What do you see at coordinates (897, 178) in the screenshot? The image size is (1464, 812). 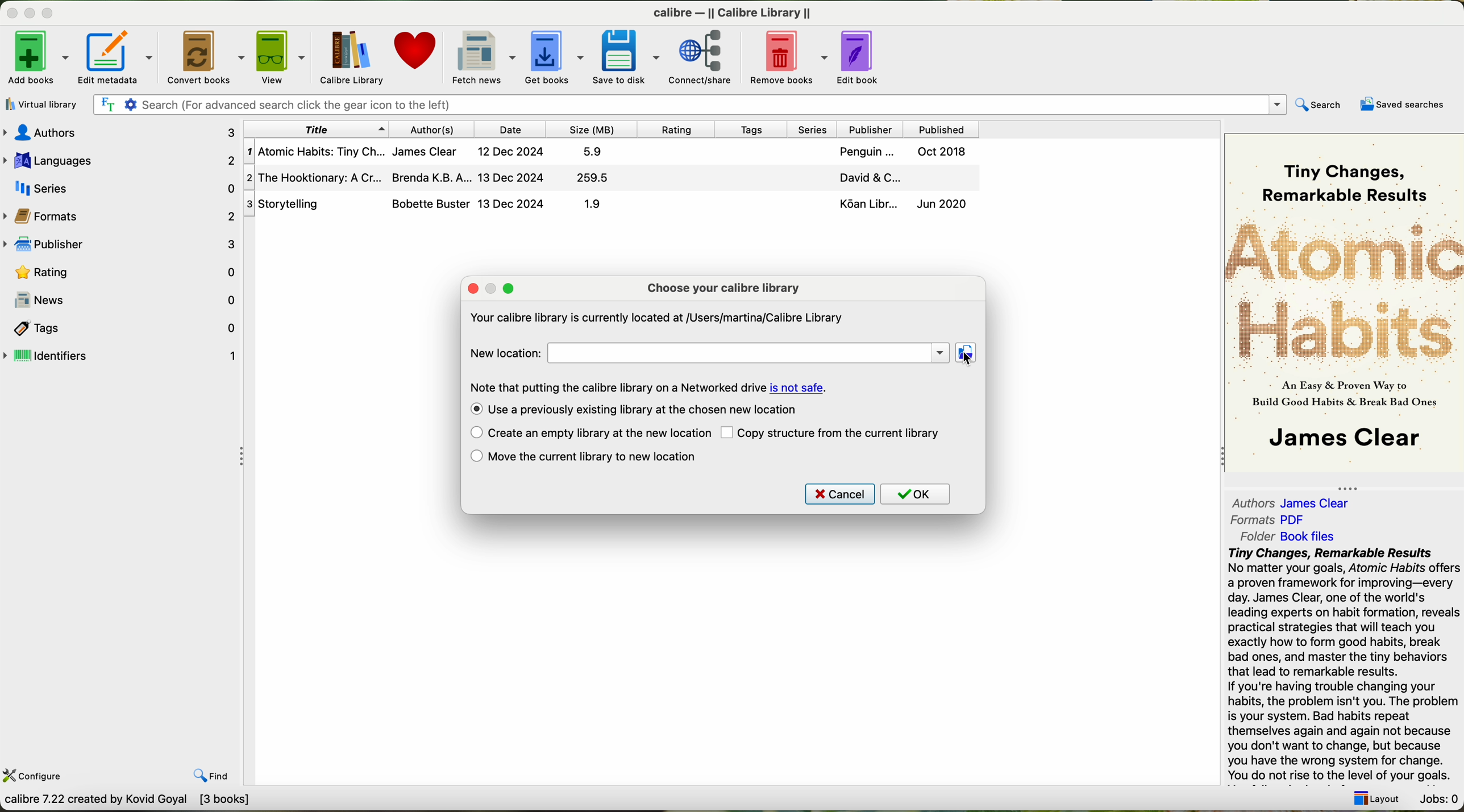 I see `David & C...` at bounding box center [897, 178].